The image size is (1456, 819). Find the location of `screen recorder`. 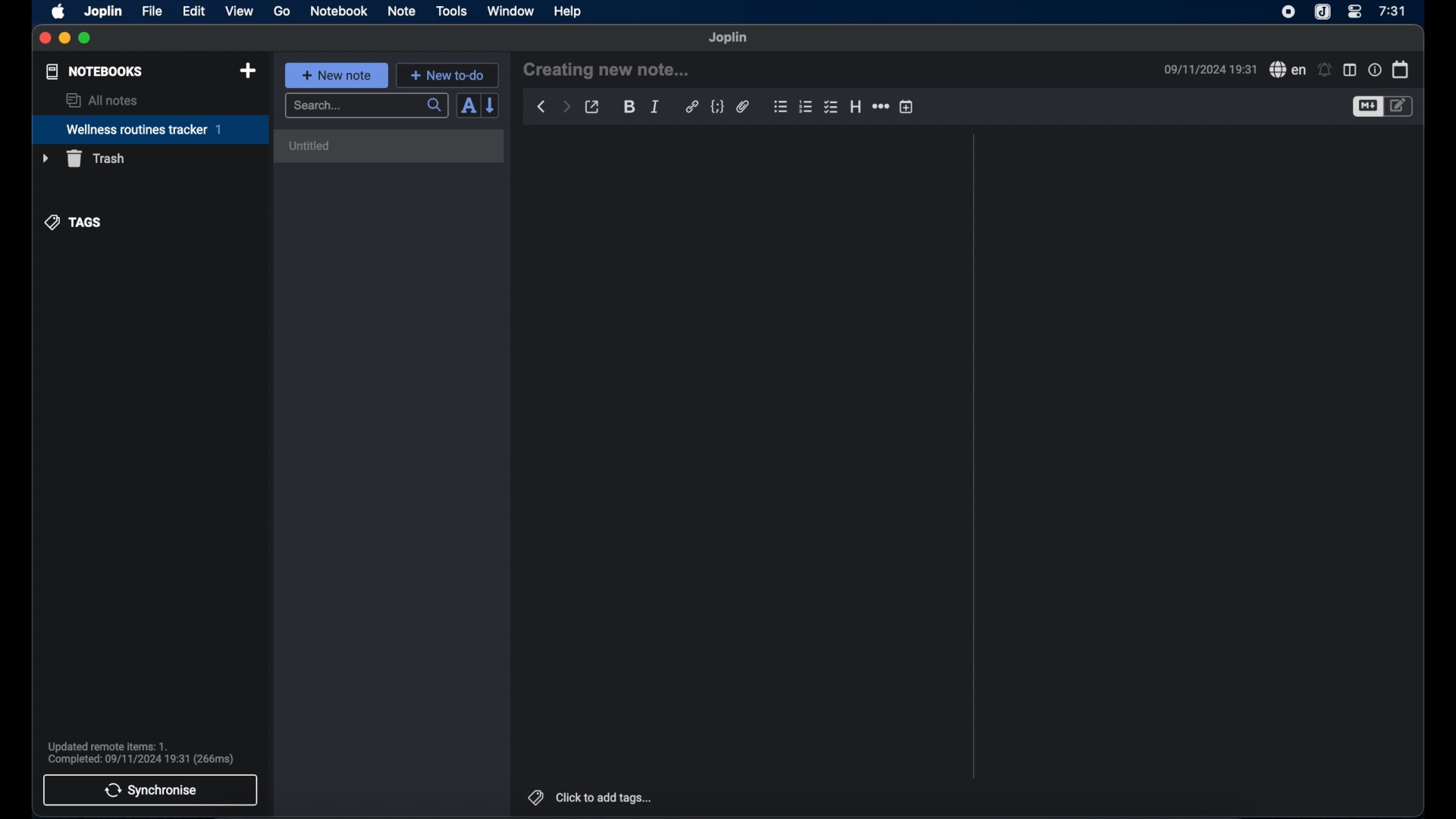

screen recorder is located at coordinates (1288, 11).